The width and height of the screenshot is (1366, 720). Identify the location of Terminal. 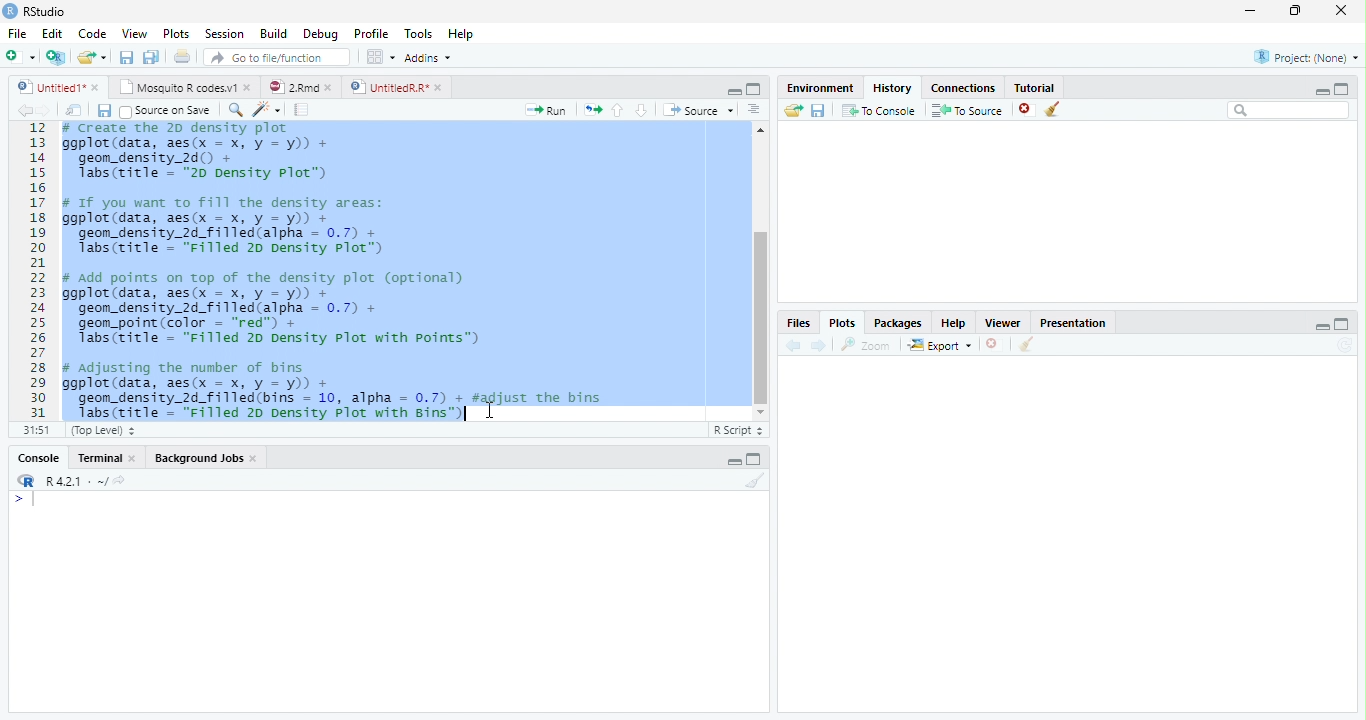
(99, 458).